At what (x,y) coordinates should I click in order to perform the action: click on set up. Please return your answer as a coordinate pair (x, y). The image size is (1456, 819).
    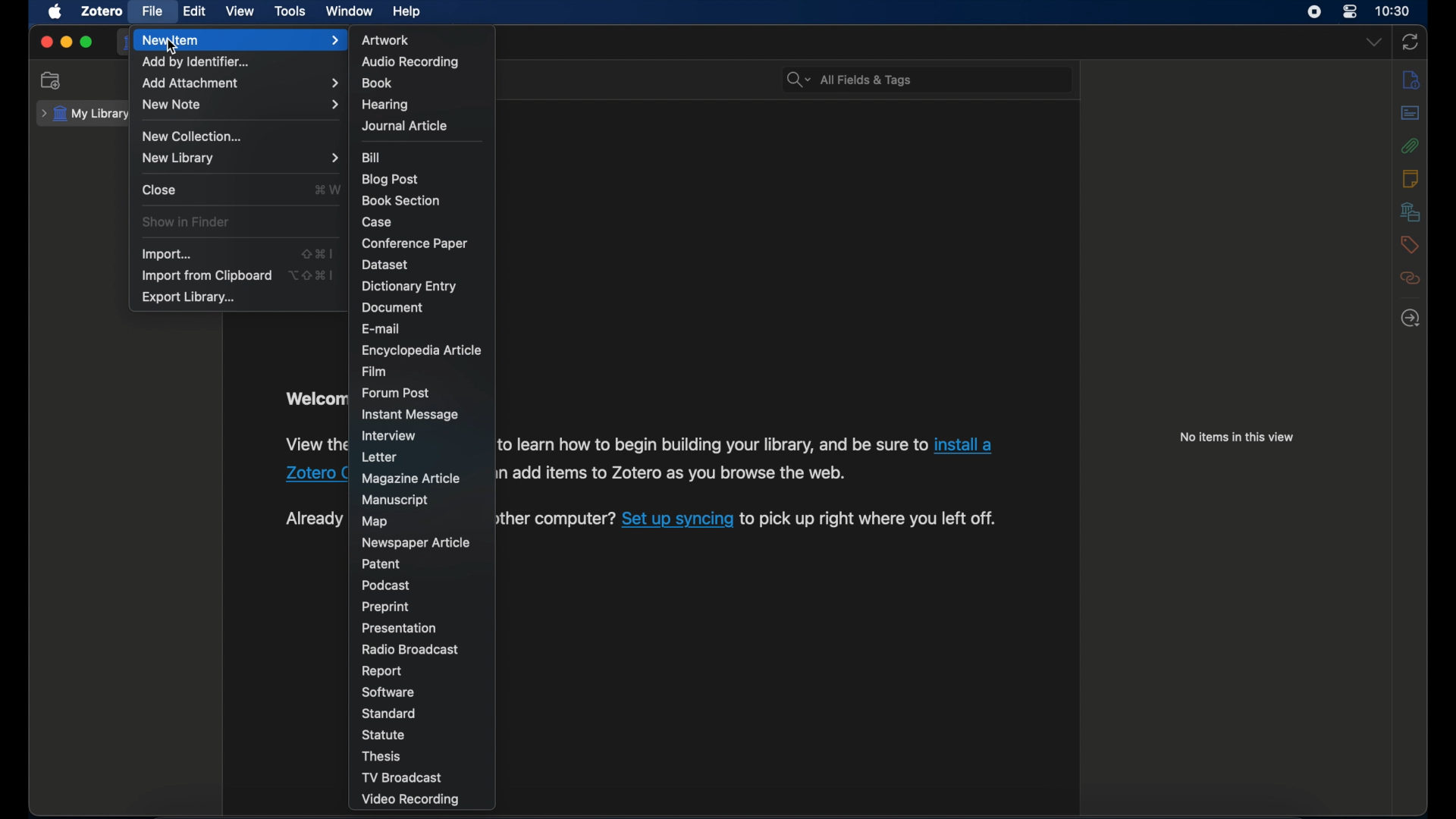
    Looking at the image, I should click on (678, 520).